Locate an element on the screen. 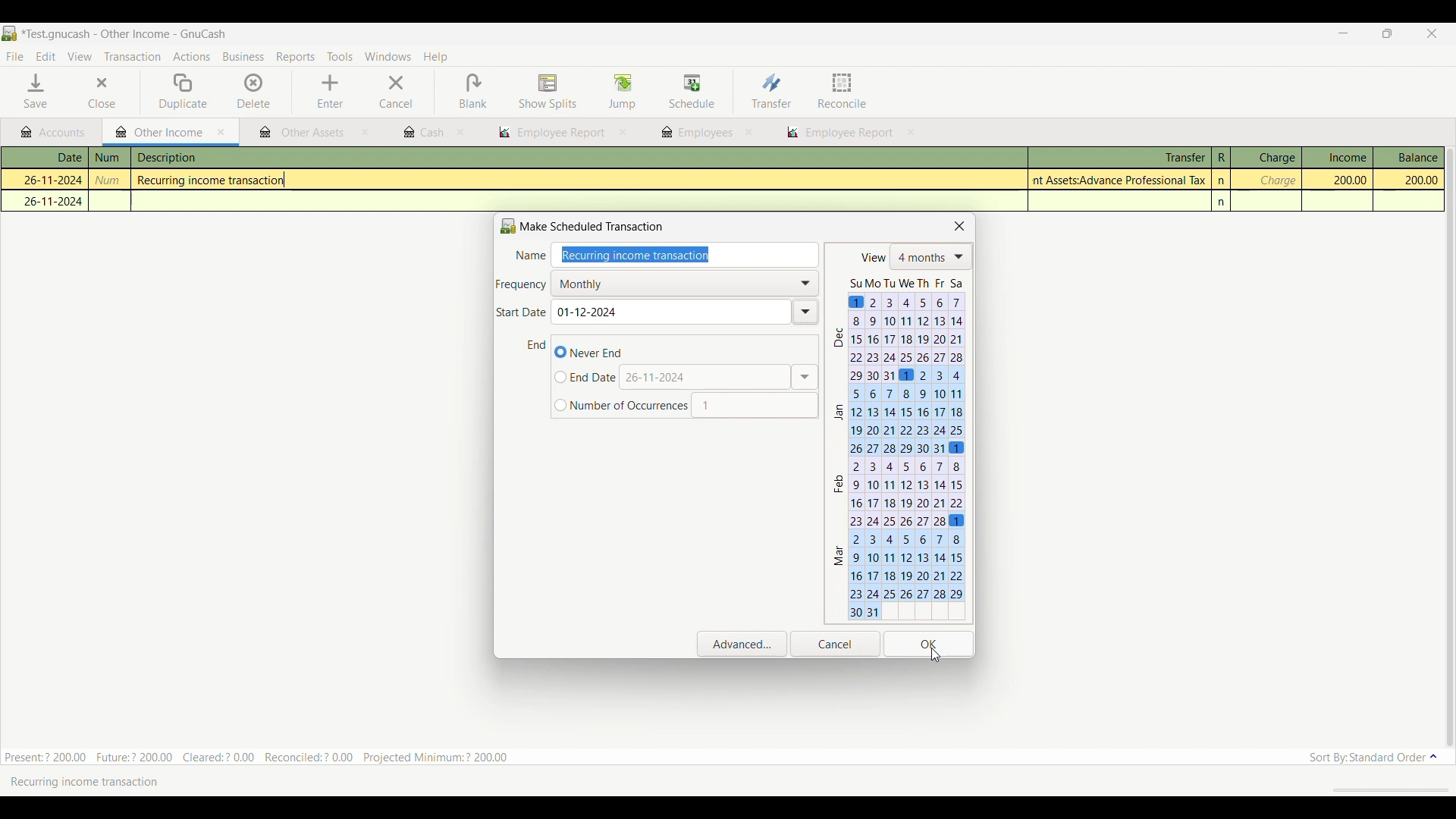 This screenshot has width=1456, height=819. Sort order options is located at coordinates (1373, 758).